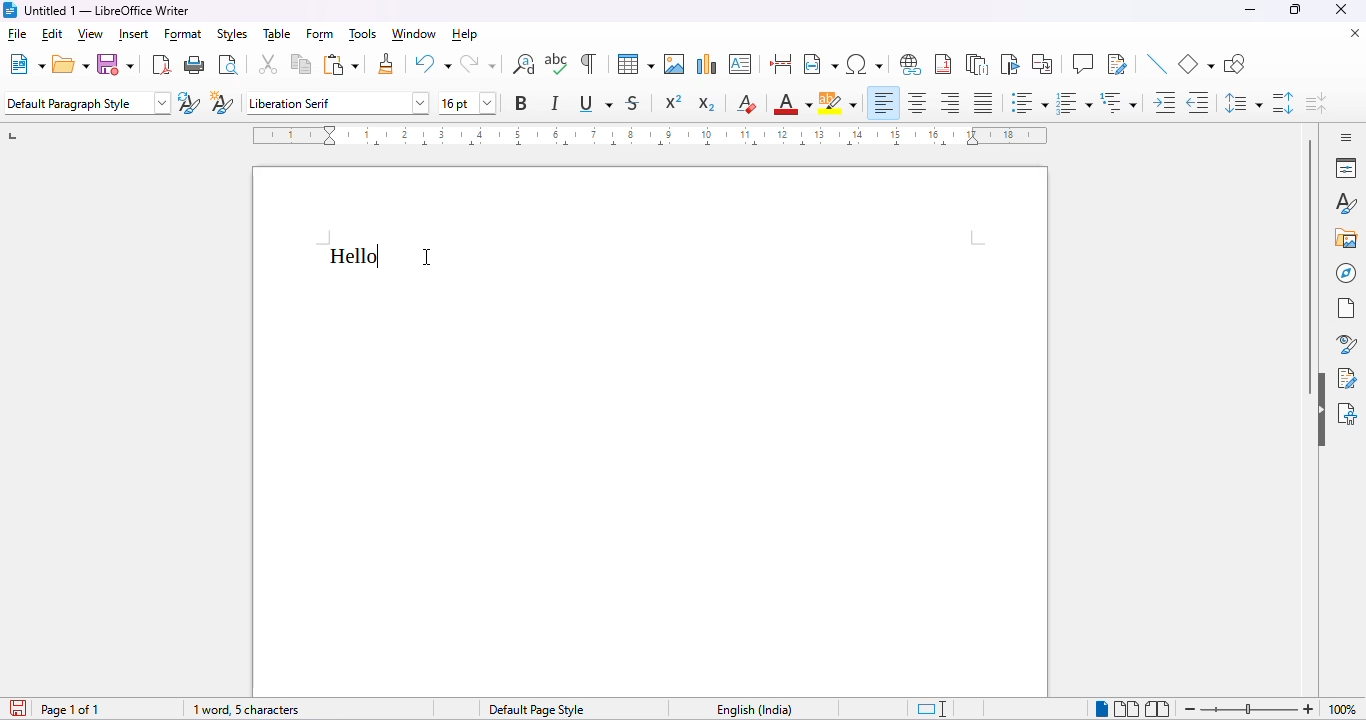 The height and width of the screenshot is (720, 1366). Describe the element at coordinates (1234, 65) in the screenshot. I see `show draw functions` at that location.